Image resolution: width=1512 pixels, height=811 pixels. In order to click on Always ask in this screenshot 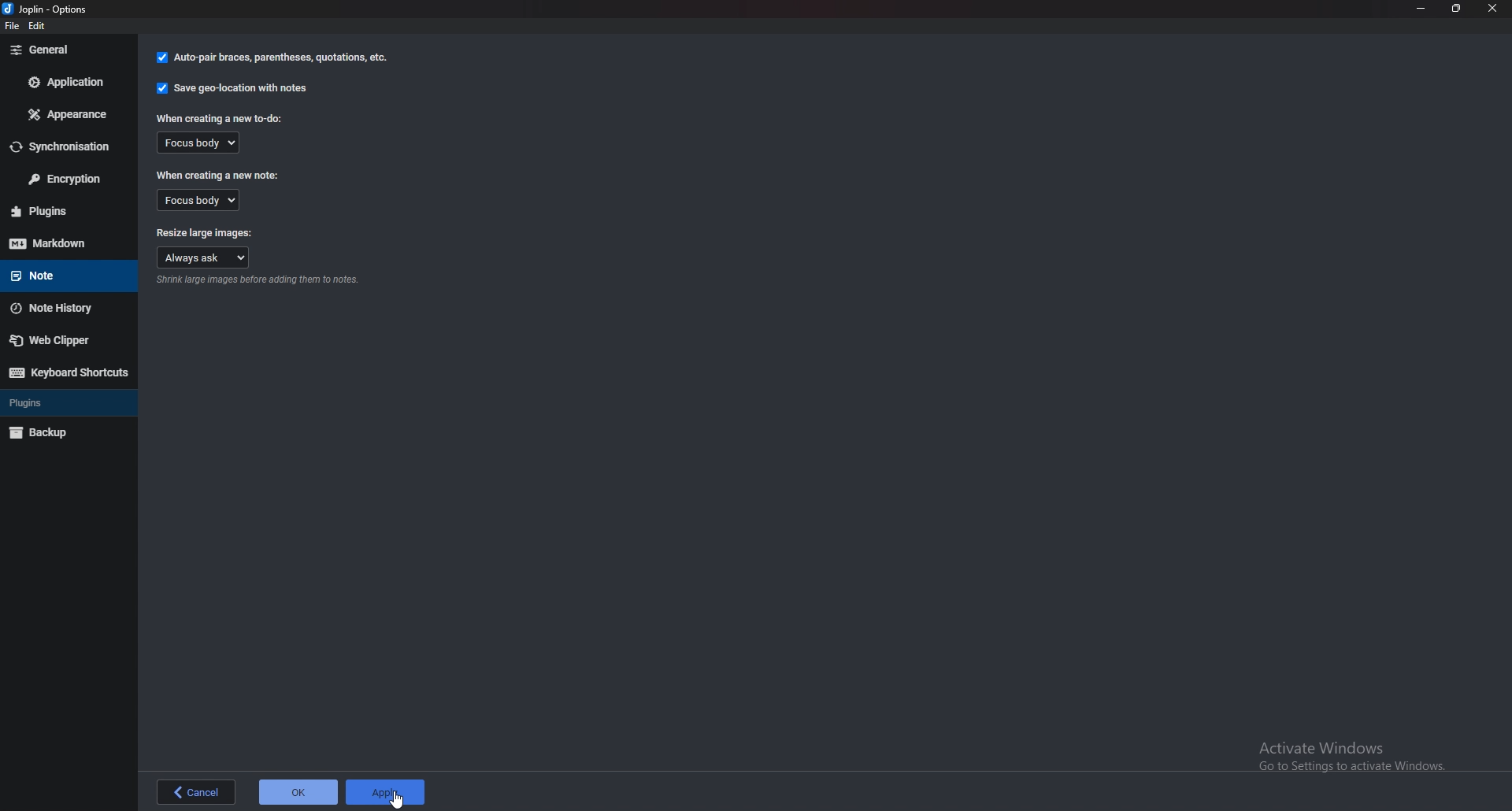, I will do `click(205, 258)`.